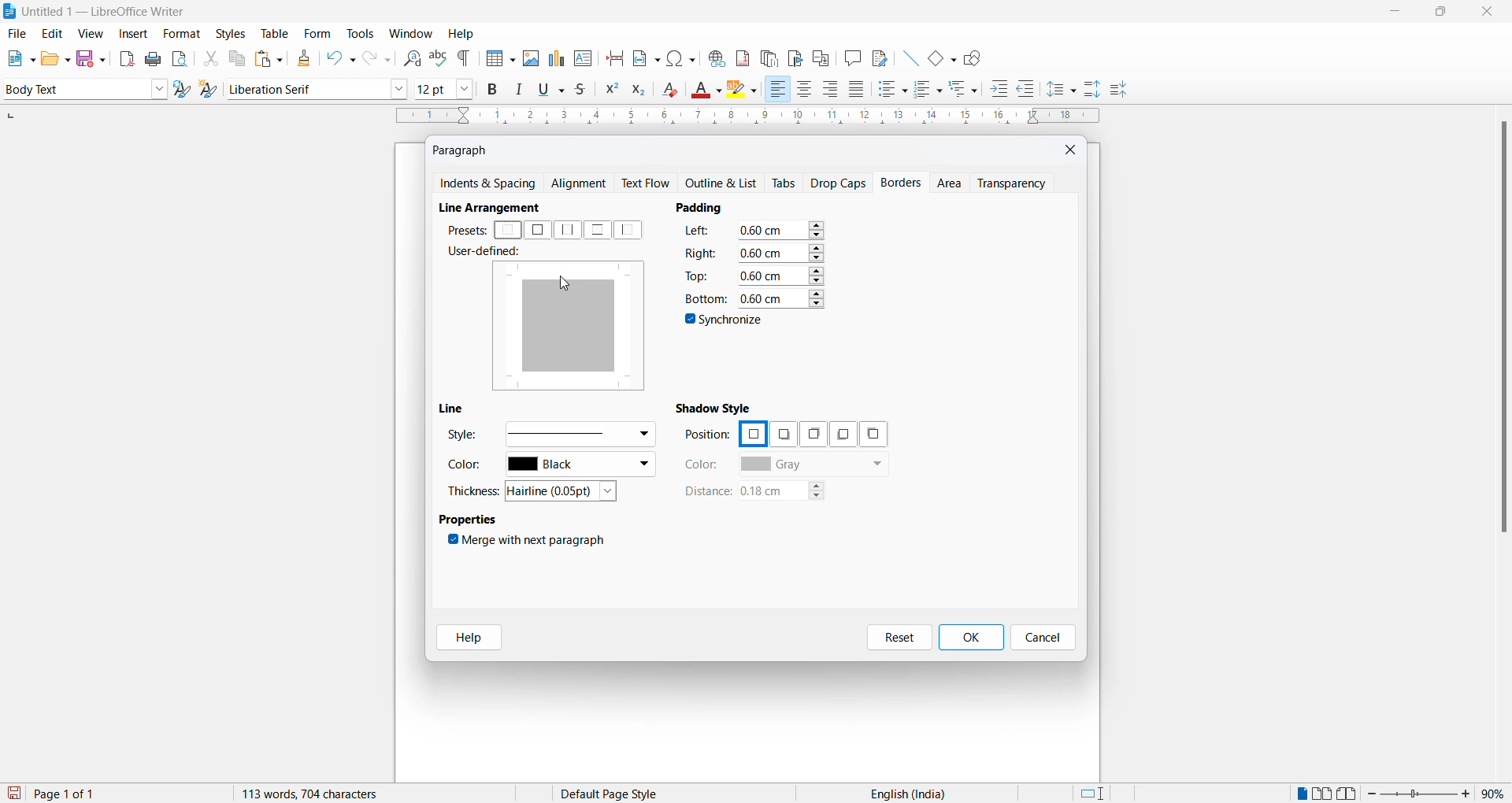 Image resolution: width=1512 pixels, height=803 pixels. I want to click on font name options, so click(399, 88).